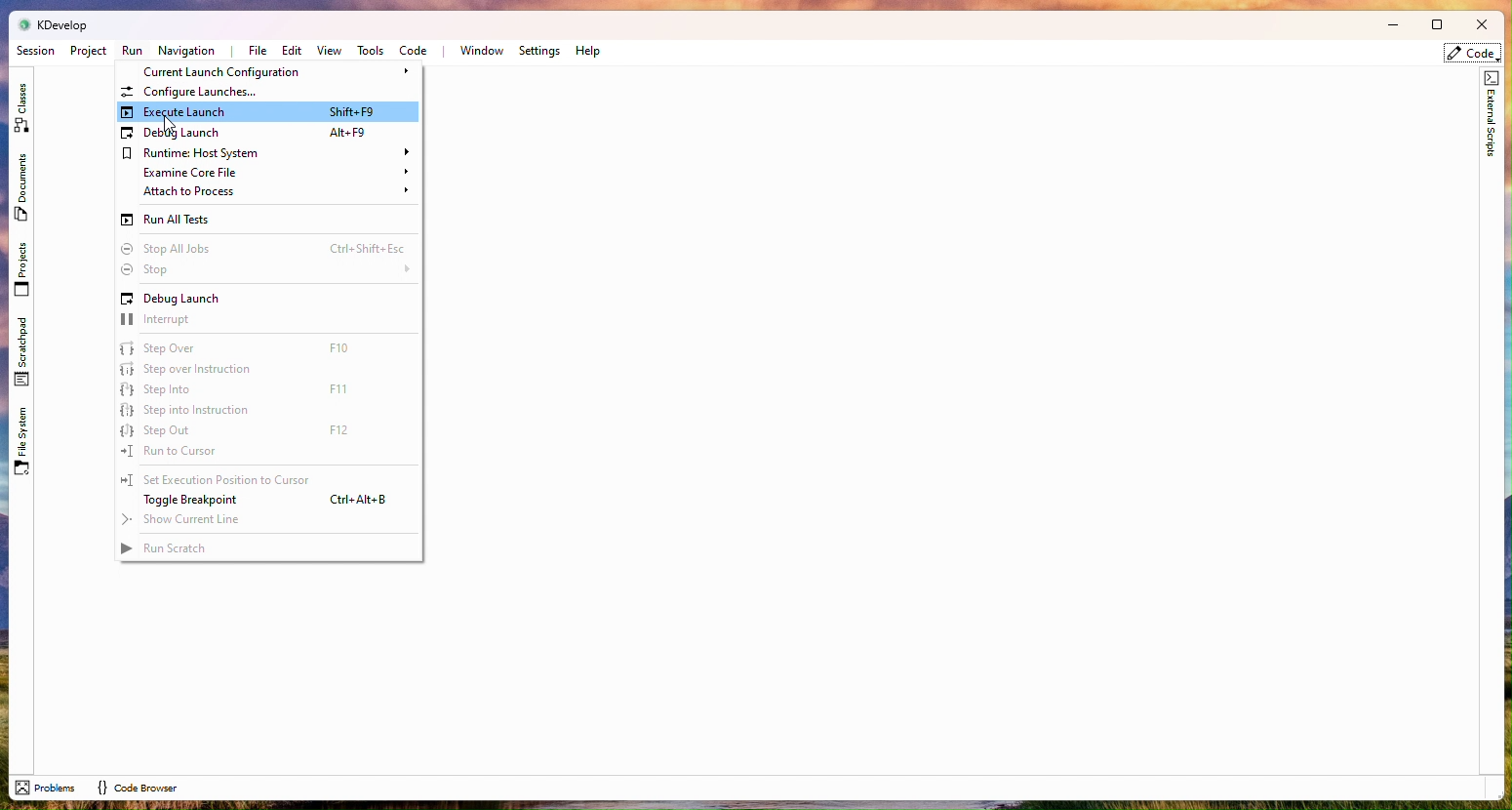  Describe the element at coordinates (278, 173) in the screenshot. I see `Examine Corefile` at that location.